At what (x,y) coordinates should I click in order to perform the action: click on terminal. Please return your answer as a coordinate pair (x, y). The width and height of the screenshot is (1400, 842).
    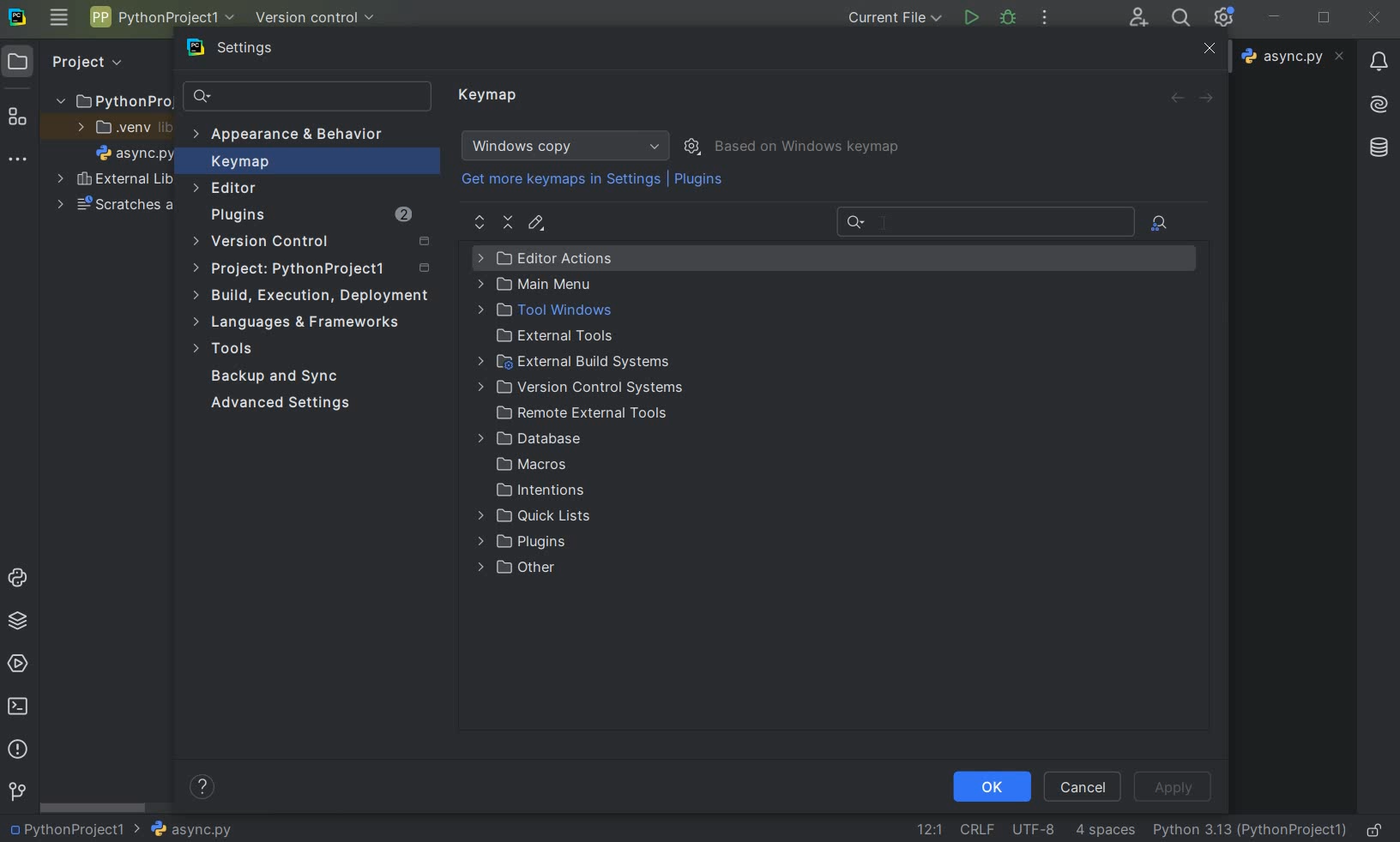
    Looking at the image, I should click on (20, 706).